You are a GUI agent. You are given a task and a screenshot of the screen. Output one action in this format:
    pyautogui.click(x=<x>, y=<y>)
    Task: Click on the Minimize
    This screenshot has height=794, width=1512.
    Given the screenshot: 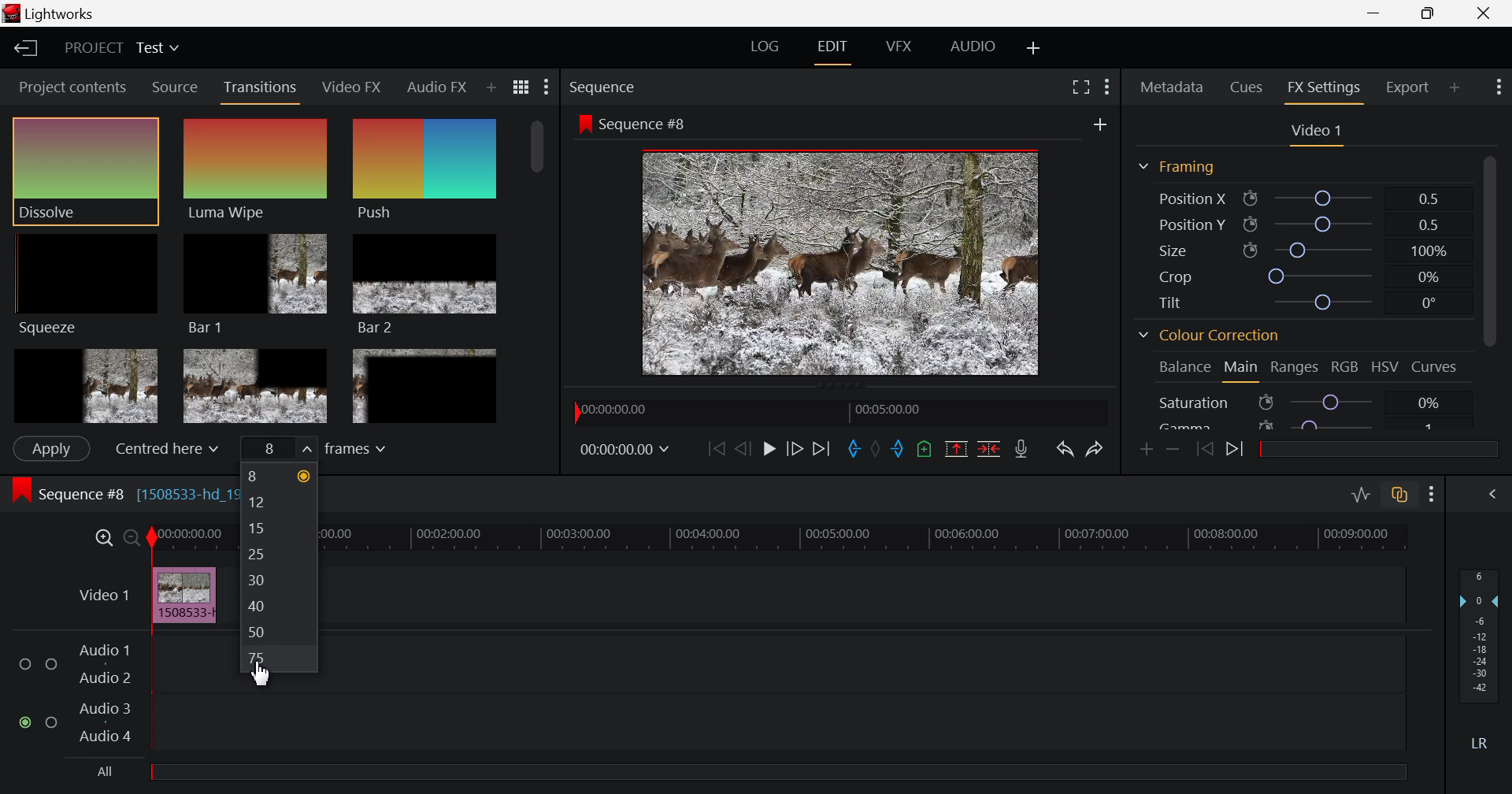 What is the action you would take?
    pyautogui.click(x=1430, y=13)
    